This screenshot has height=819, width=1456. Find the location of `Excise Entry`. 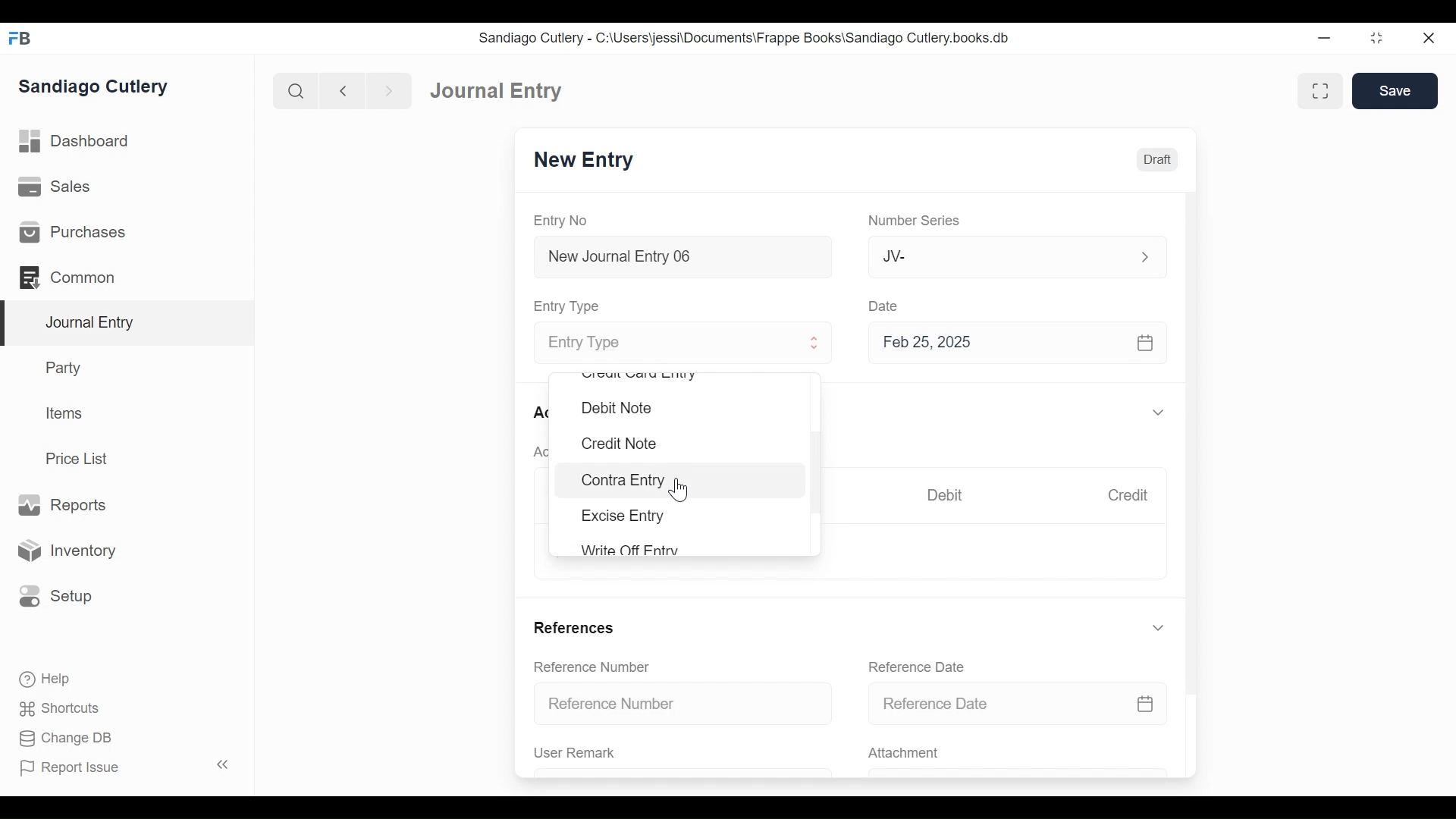

Excise Entry is located at coordinates (623, 516).